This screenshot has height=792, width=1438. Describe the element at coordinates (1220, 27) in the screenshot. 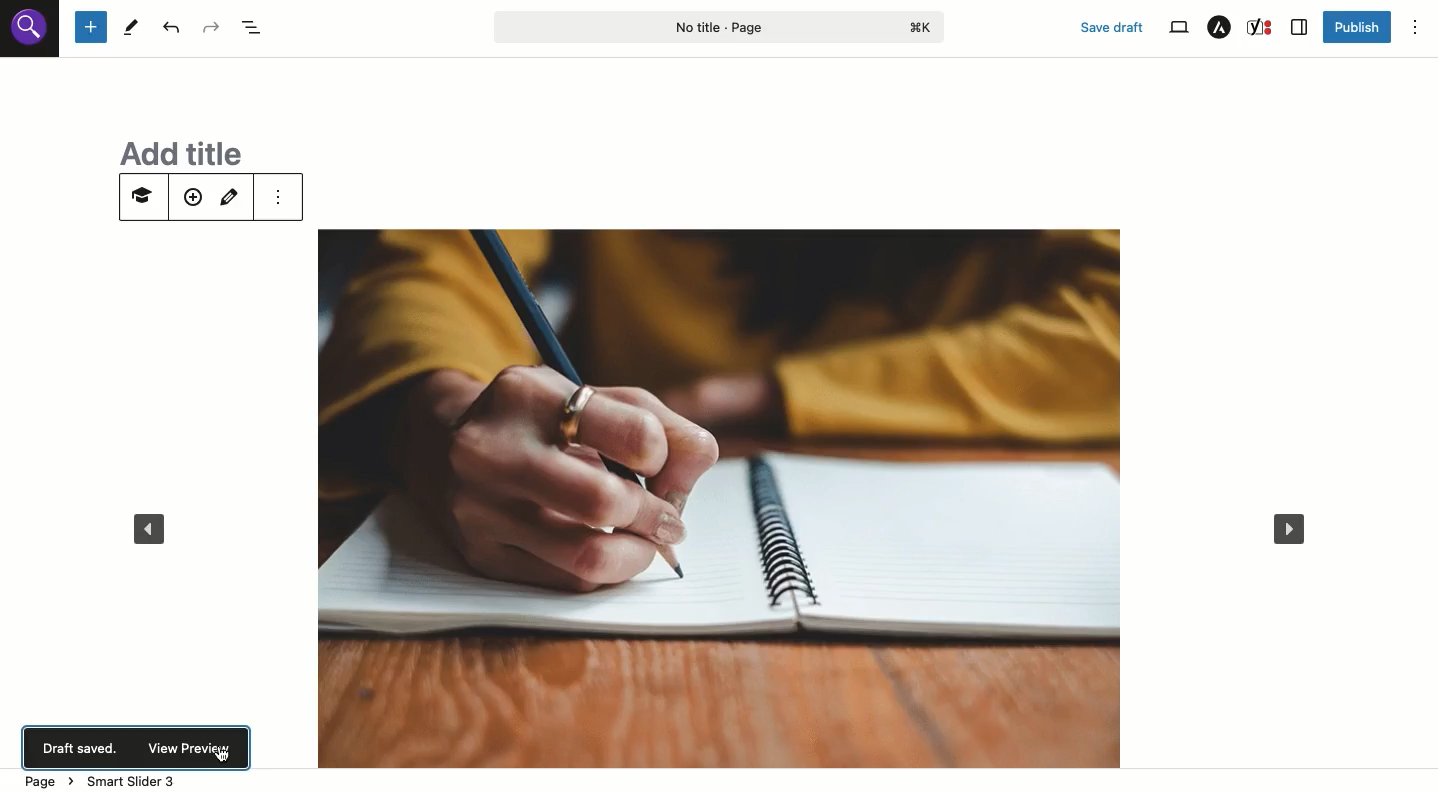

I see `Astra` at that location.